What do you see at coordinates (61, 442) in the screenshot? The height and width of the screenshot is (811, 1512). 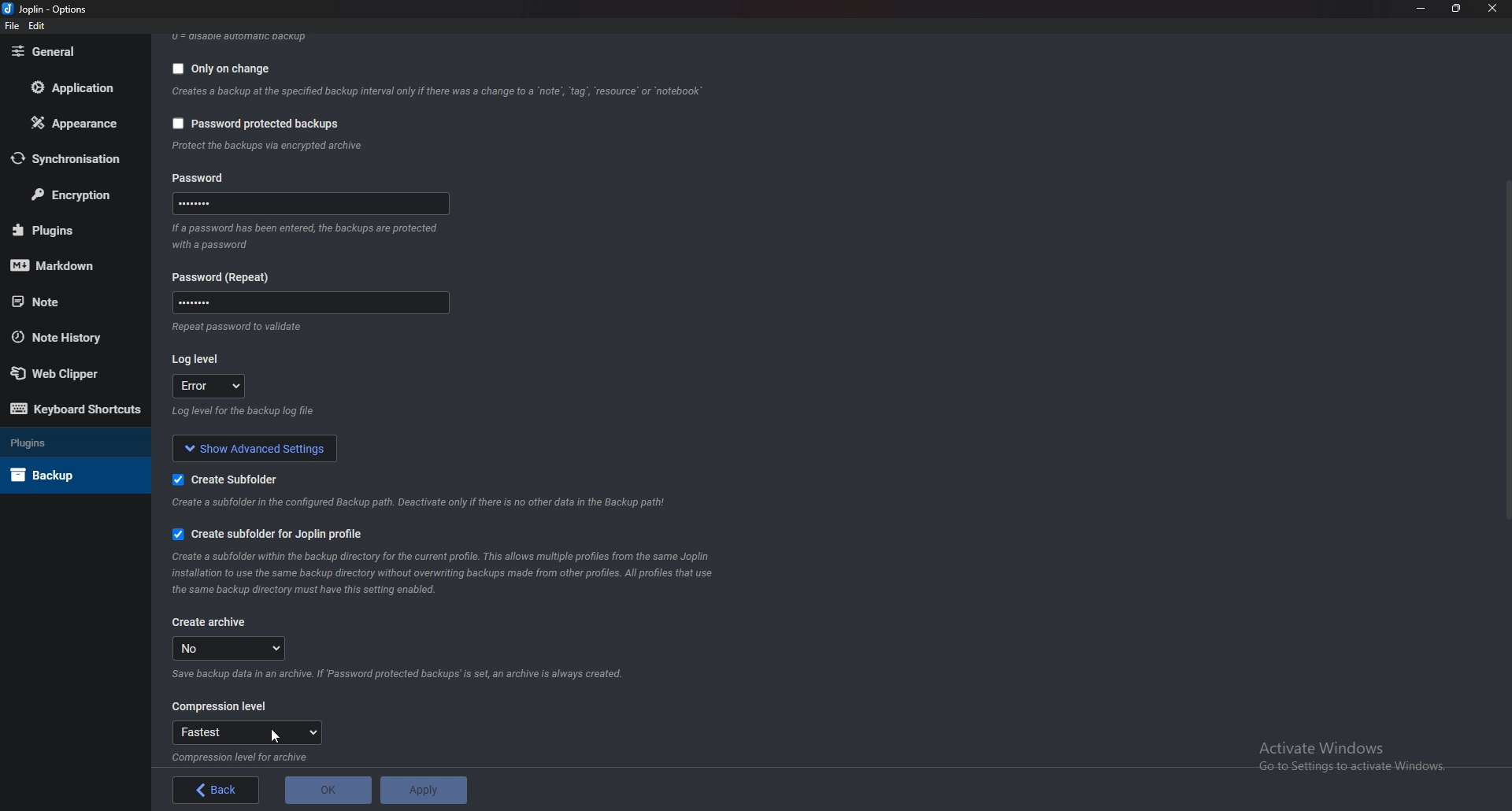 I see `Plugins` at bounding box center [61, 442].